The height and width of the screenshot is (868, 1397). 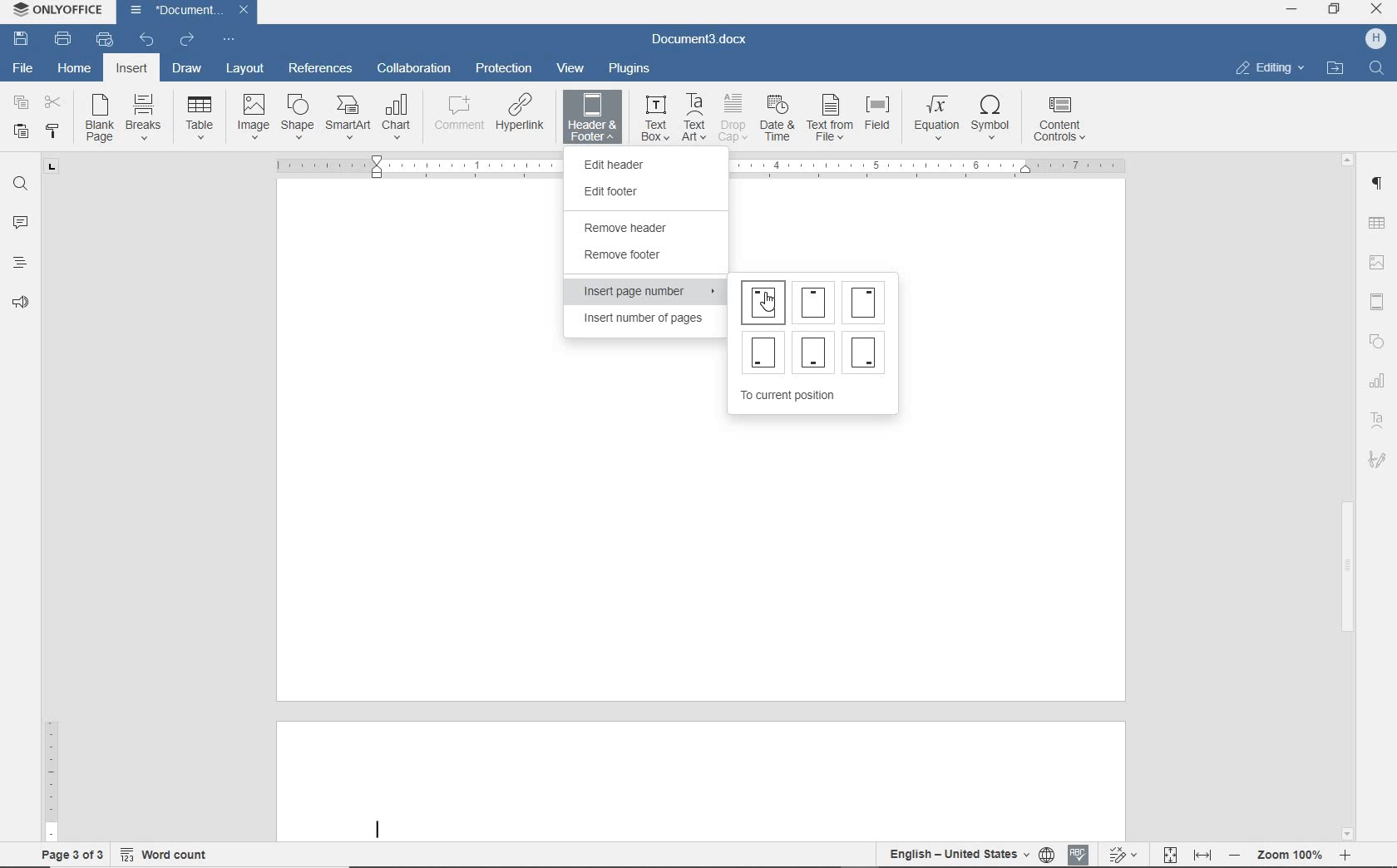 What do you see at coordinates (764, 348) in the screenshot?
I see `Page number at bottom left` at bounding box center [764, 348].